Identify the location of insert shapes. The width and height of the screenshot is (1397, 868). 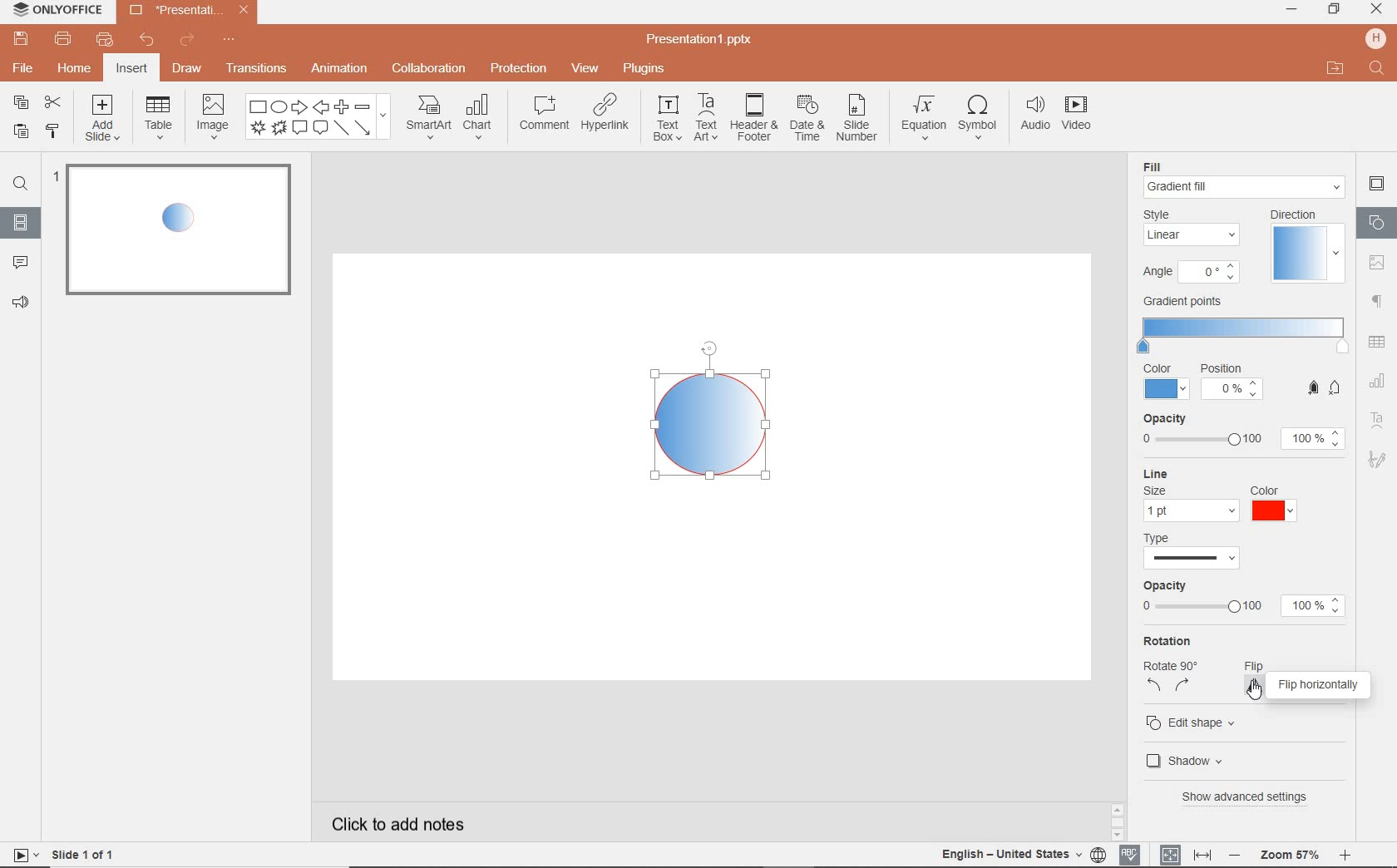
(1378, 222).